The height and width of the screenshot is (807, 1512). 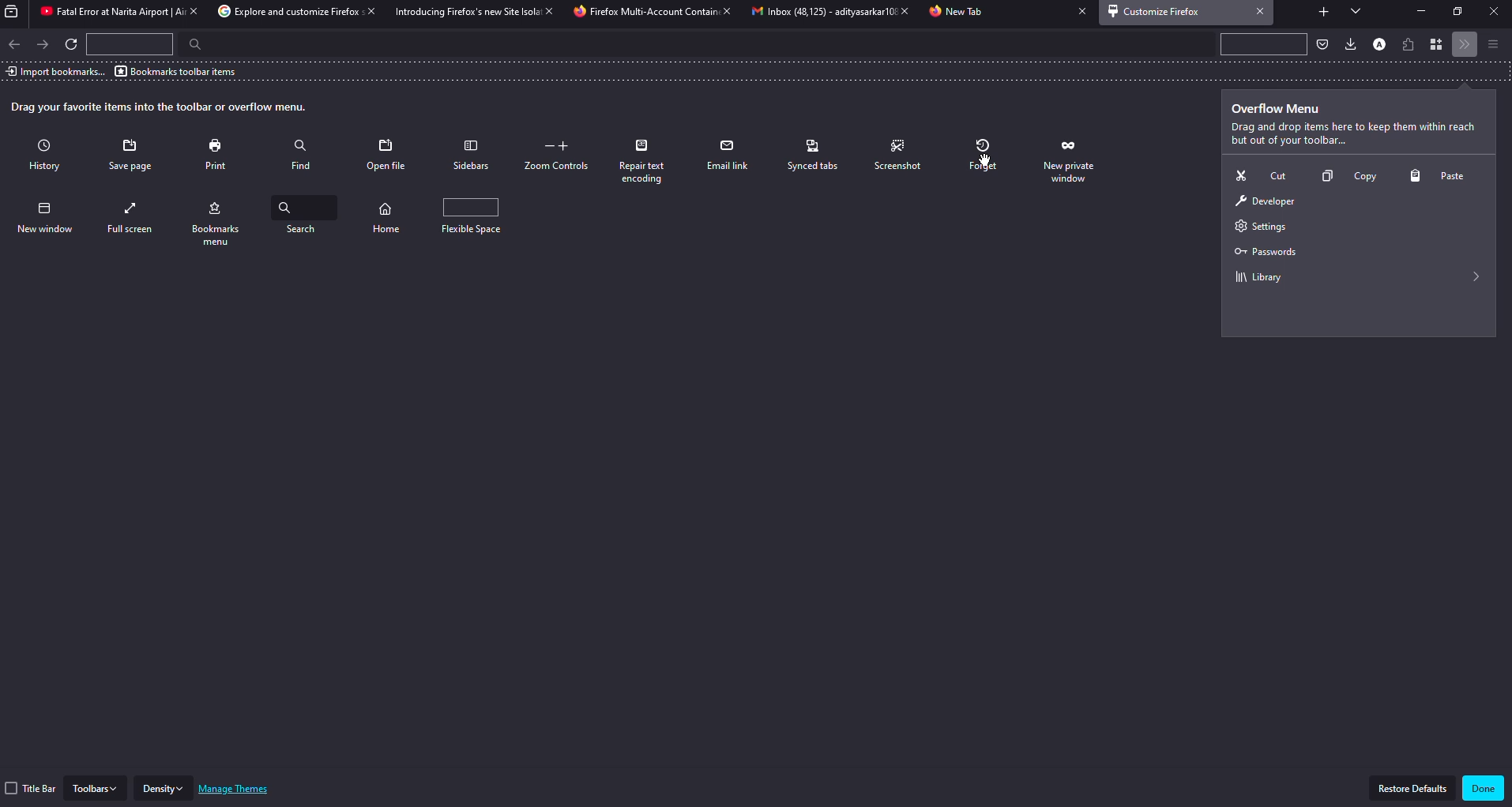 What do you see at coordinates (1158, 11) in the screenshot?
I see `customize` at bounding box center [1158, 11].